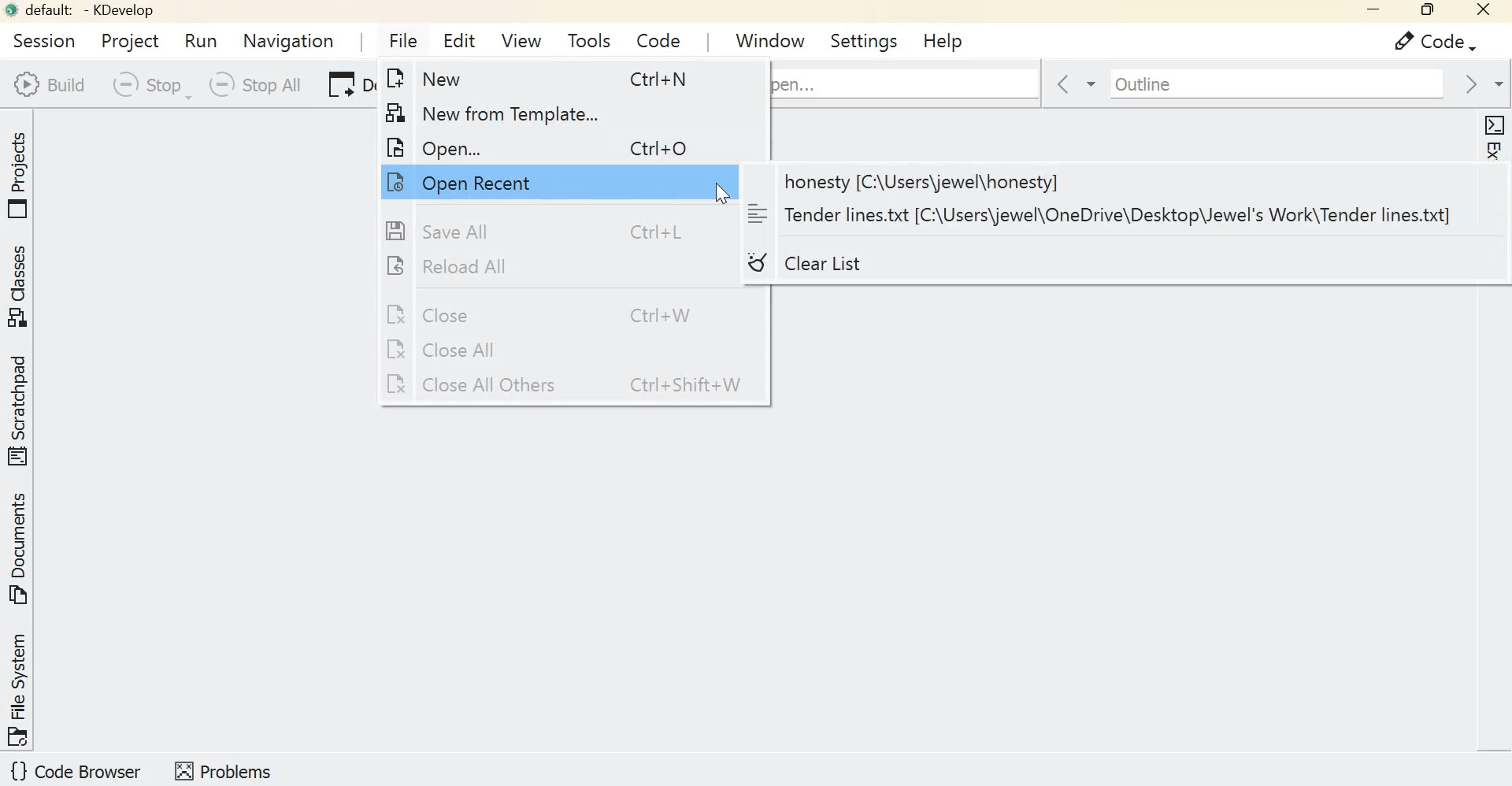  Describe the element at coordinates (545, 267) in the screenshot. I see `Reload all` at that location.